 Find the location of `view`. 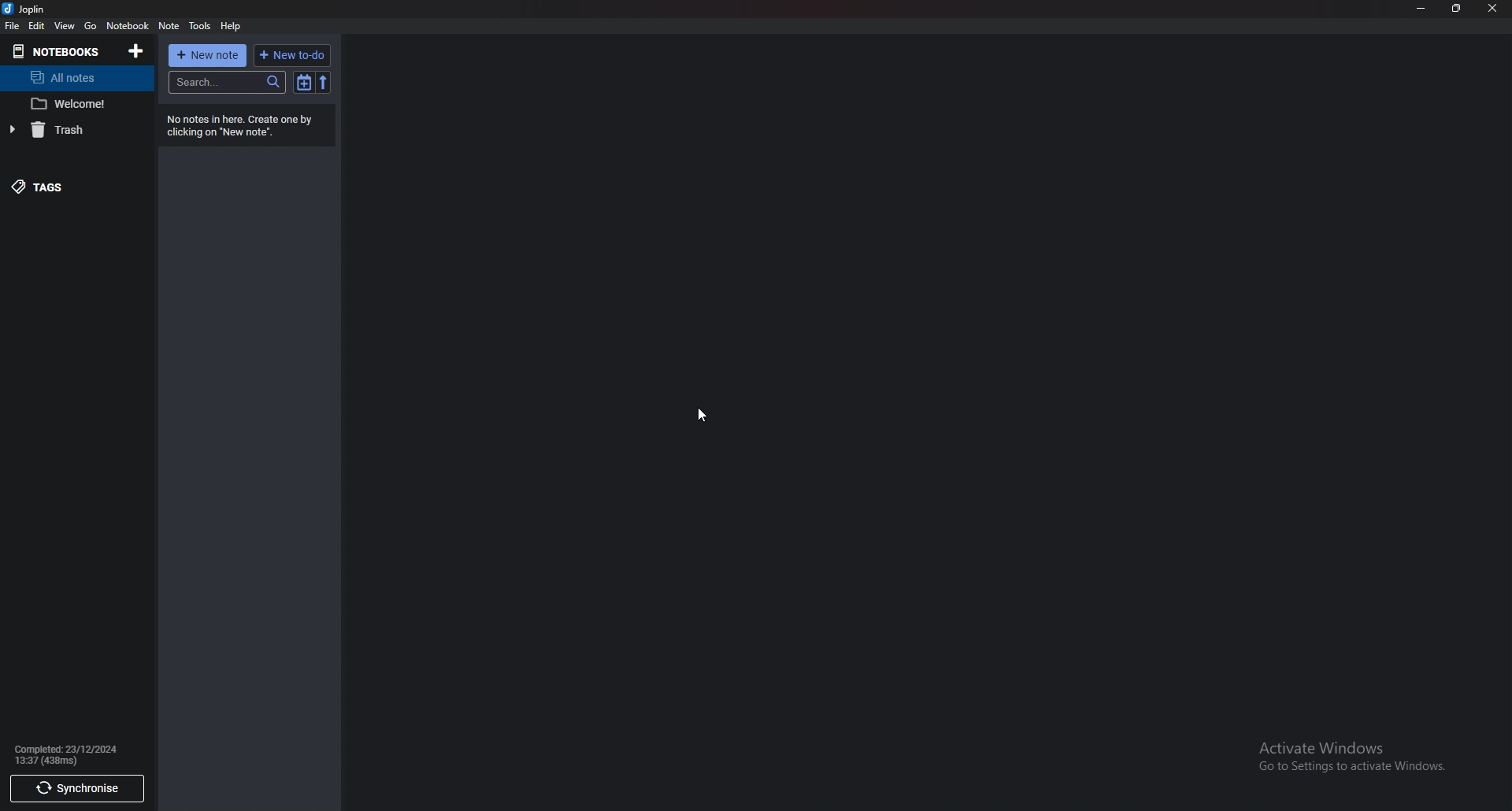

view is located at coordinates (65, 27).